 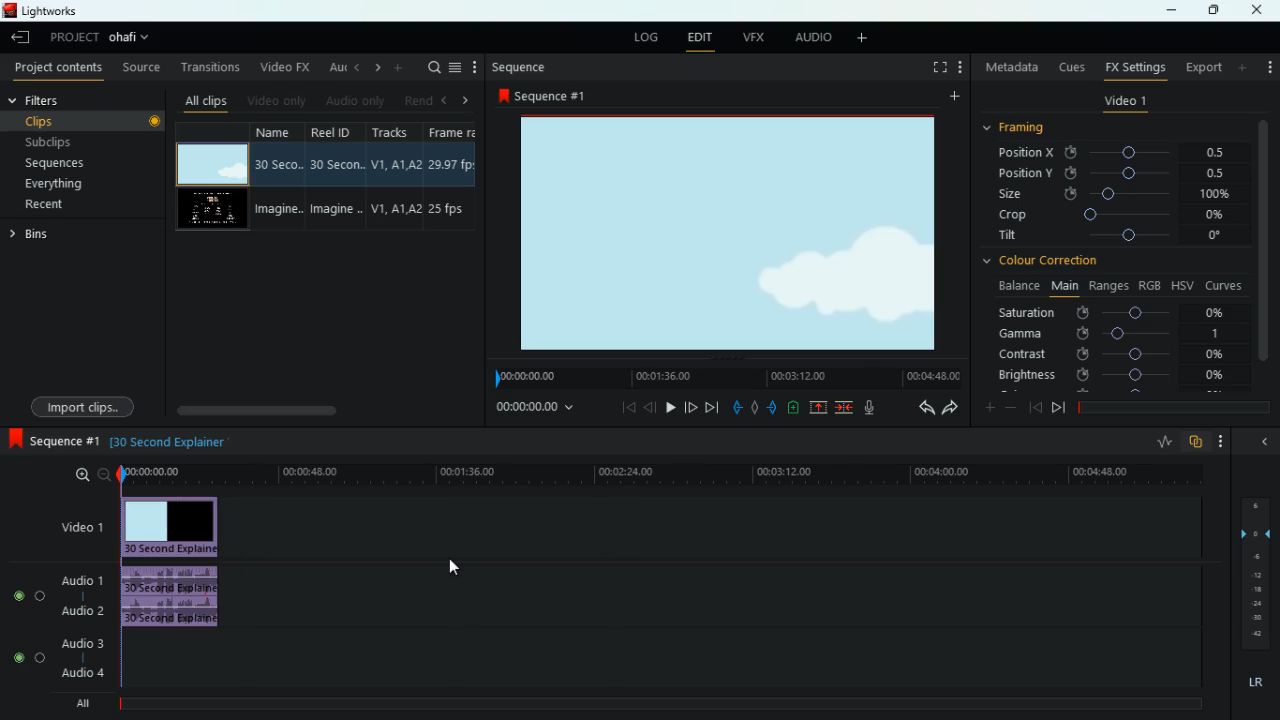 What do you see at coordinates (845, 408) in the screenshot?
I see `merge` at bounding box center [845, 408].